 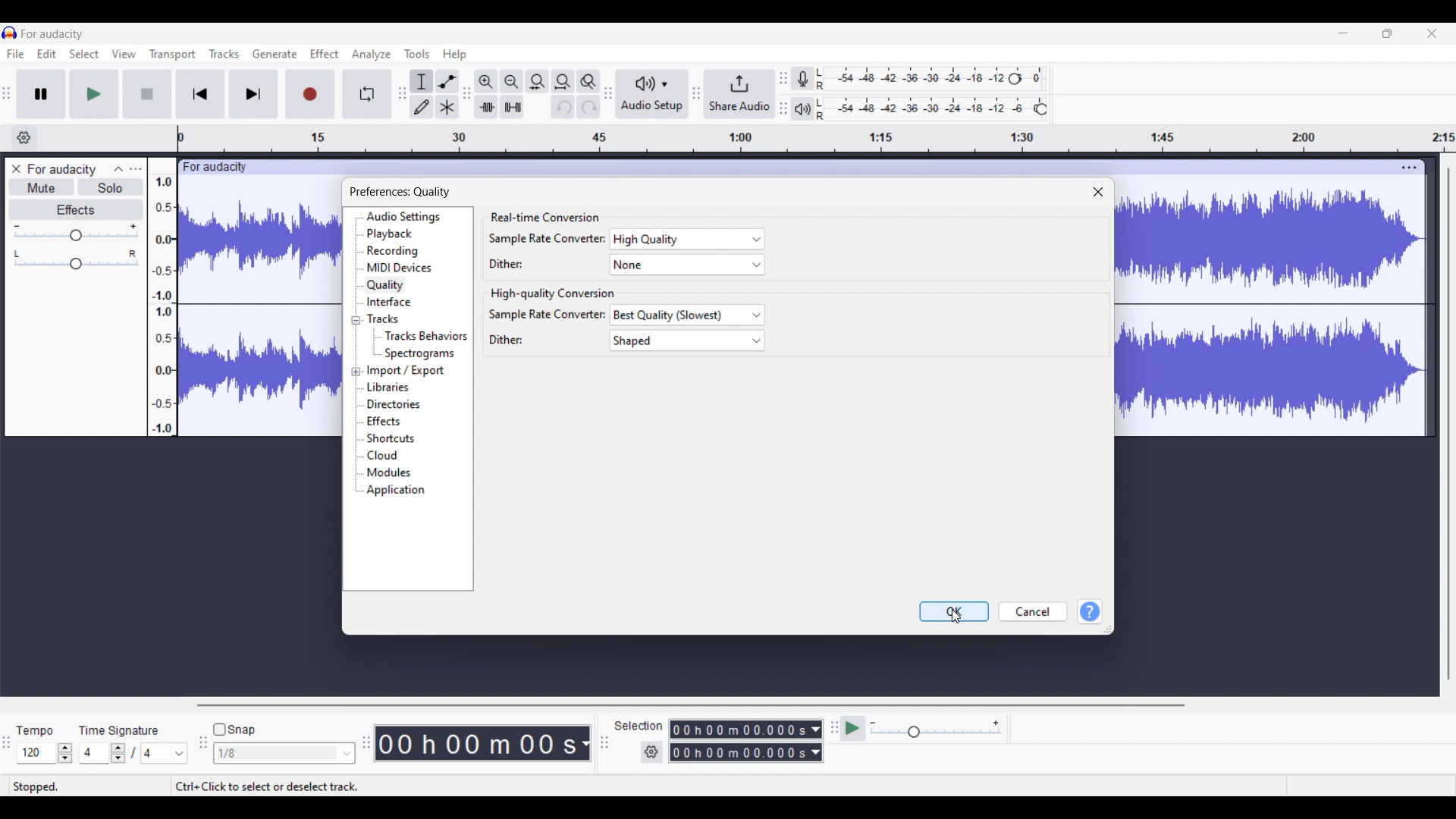 I want to click on Current project name, so click(x=52, y=34).